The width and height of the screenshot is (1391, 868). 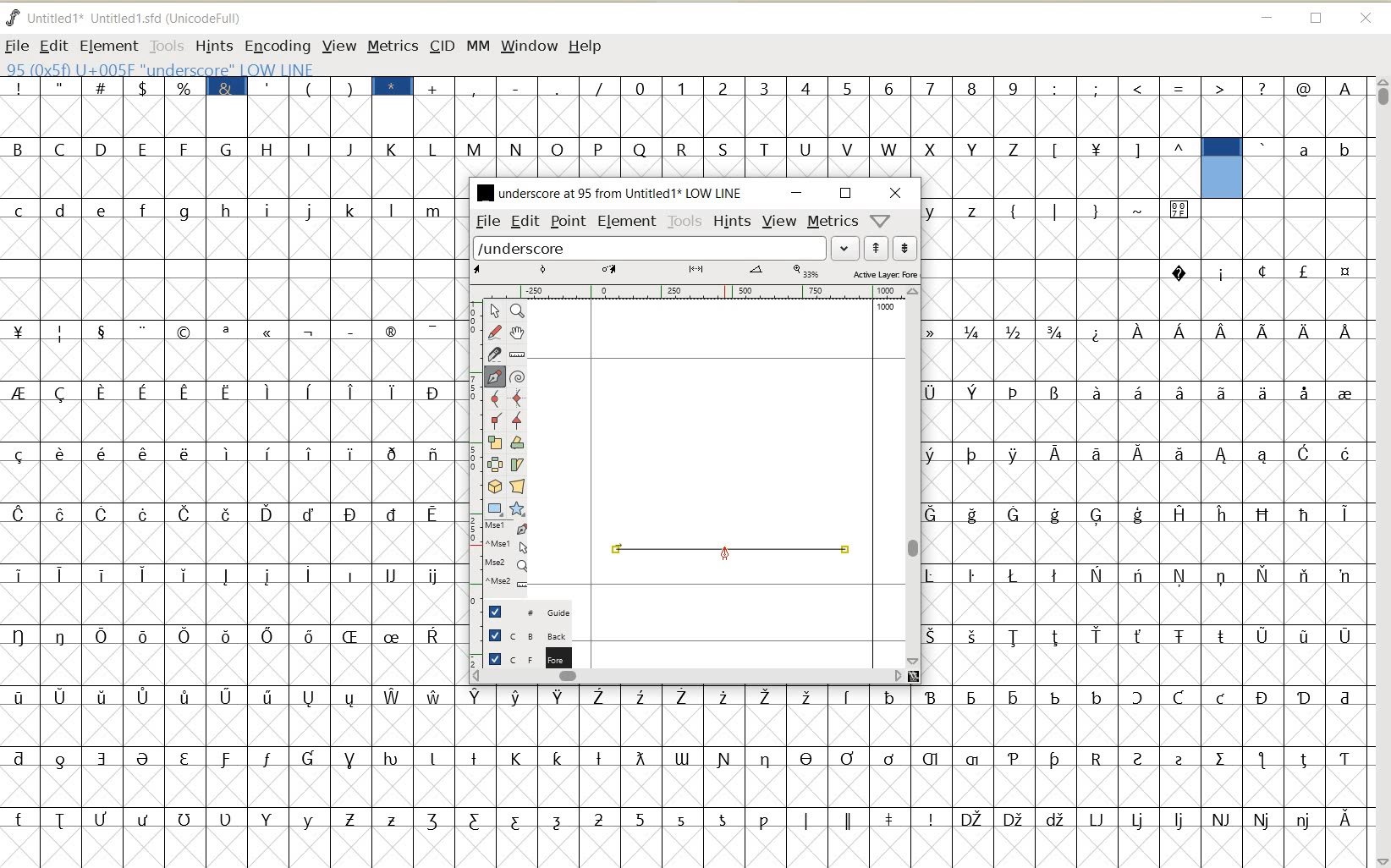 What do you see at coordinates (530, 47) in the screenshot?
I see `WINDOW` at bounding box center [530, 47].